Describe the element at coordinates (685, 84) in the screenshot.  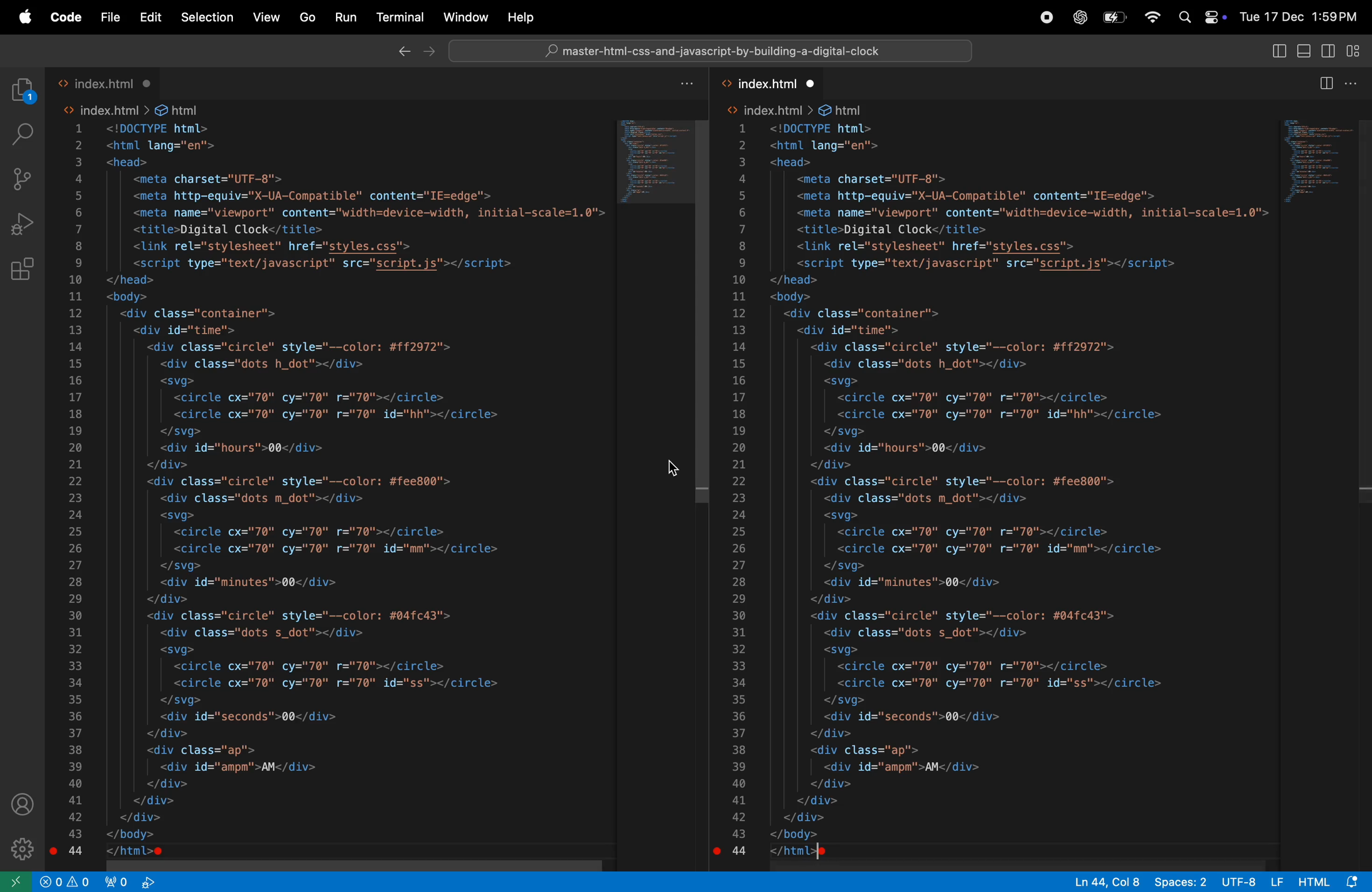
I see `more` at that location.